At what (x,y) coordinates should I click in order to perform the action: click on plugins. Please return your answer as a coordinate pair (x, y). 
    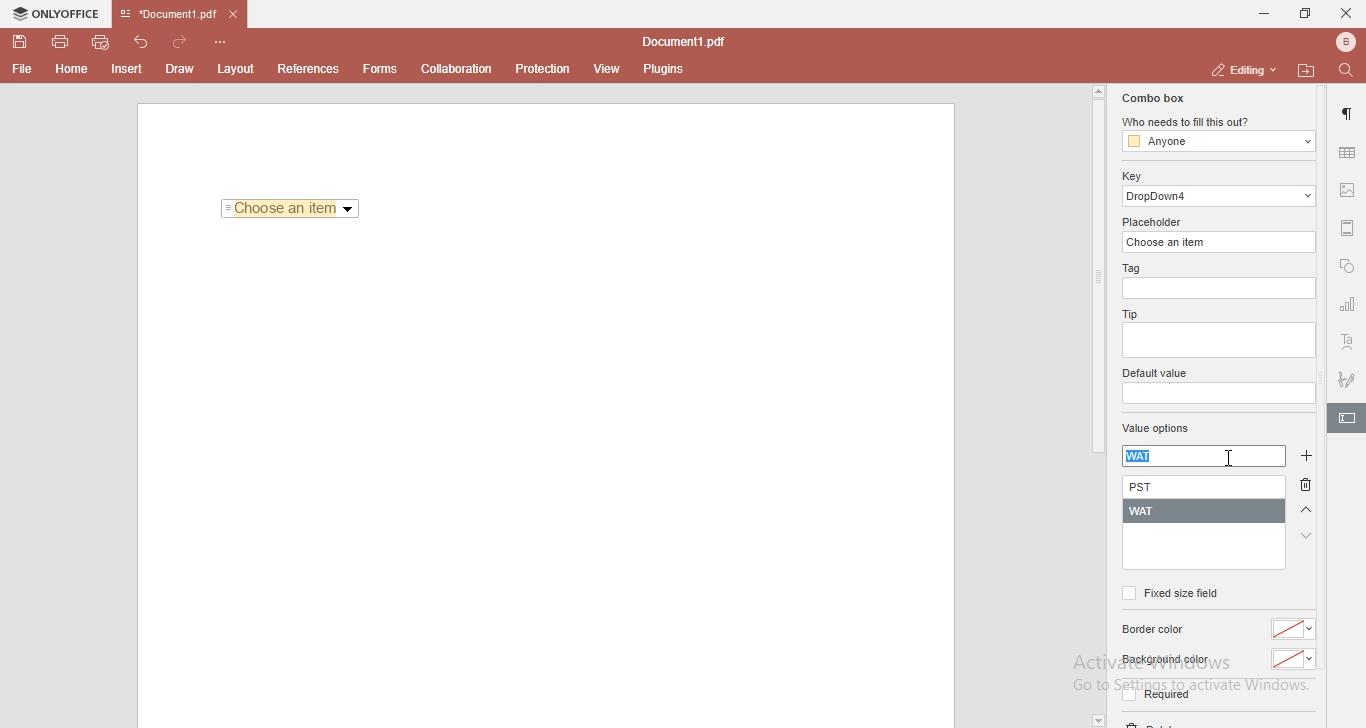
    Looking at the image, I should click on (664, 70).